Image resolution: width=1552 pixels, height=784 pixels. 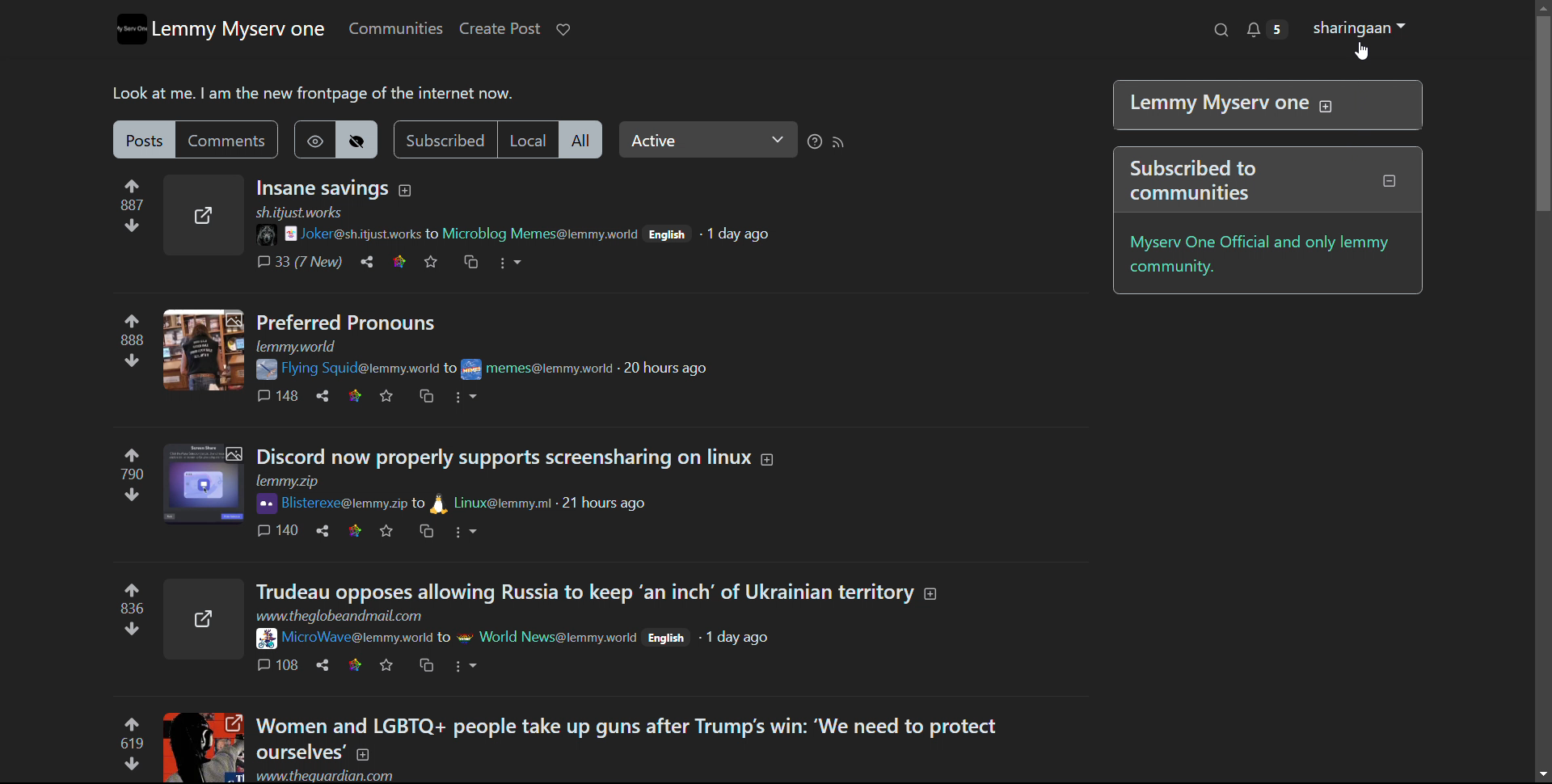 I want to click on expand here, so click(x=202, y=484).